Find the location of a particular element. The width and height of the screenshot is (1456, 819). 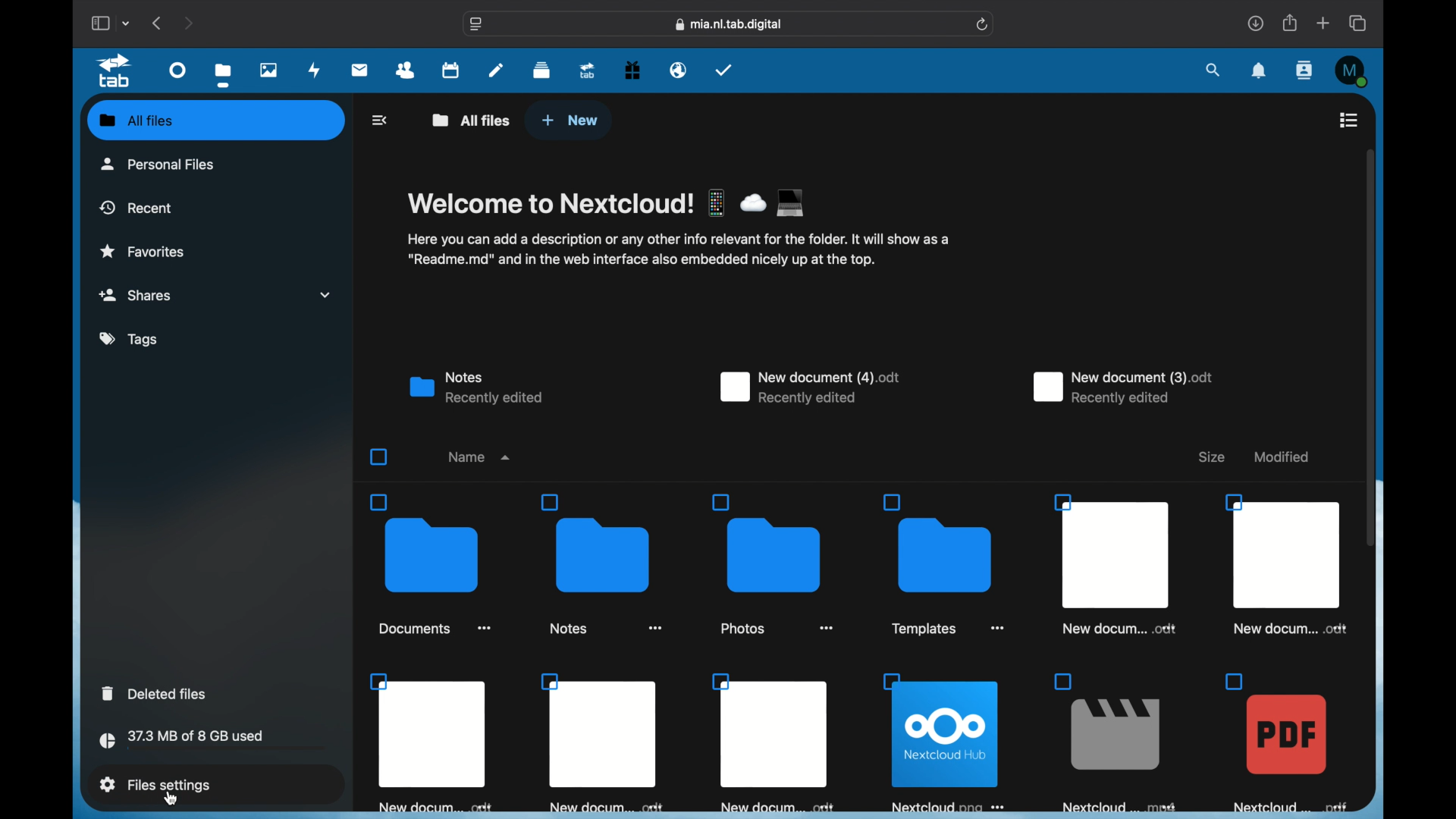

file is located at coordinates (604, 744).